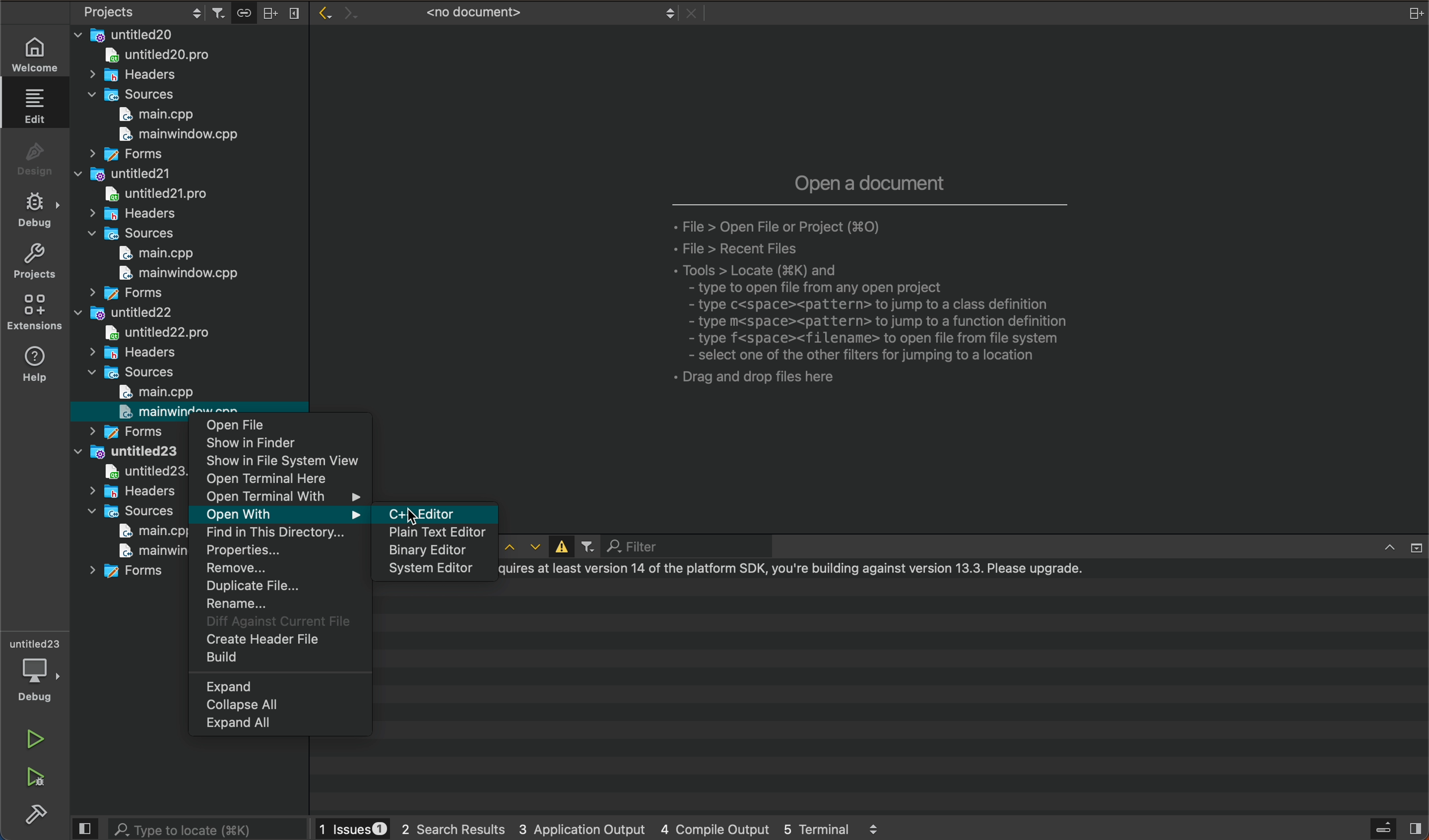 The width and height of the screenshot is (1429, 840). Describe the element at coordinates (159, 412) in the screenshot. I see `mainwindow` at that location.